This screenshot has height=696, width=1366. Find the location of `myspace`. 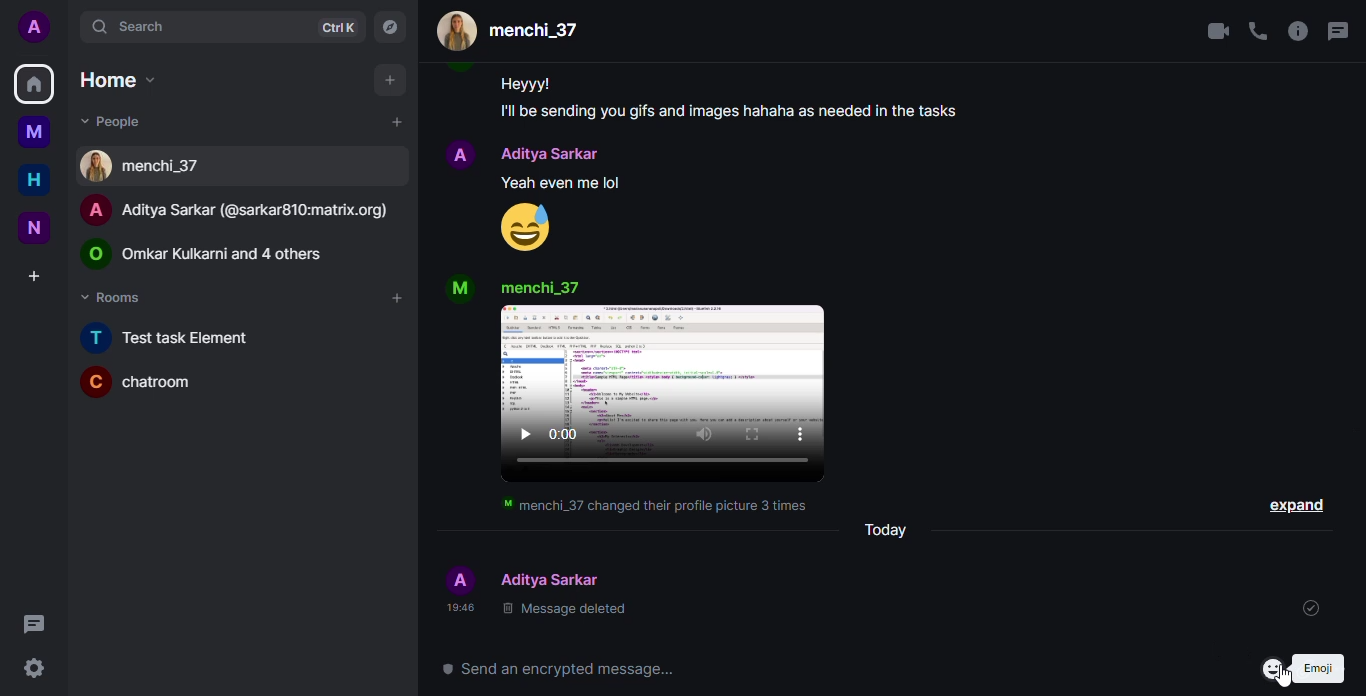

myspace is located at coordinates (37, 132).